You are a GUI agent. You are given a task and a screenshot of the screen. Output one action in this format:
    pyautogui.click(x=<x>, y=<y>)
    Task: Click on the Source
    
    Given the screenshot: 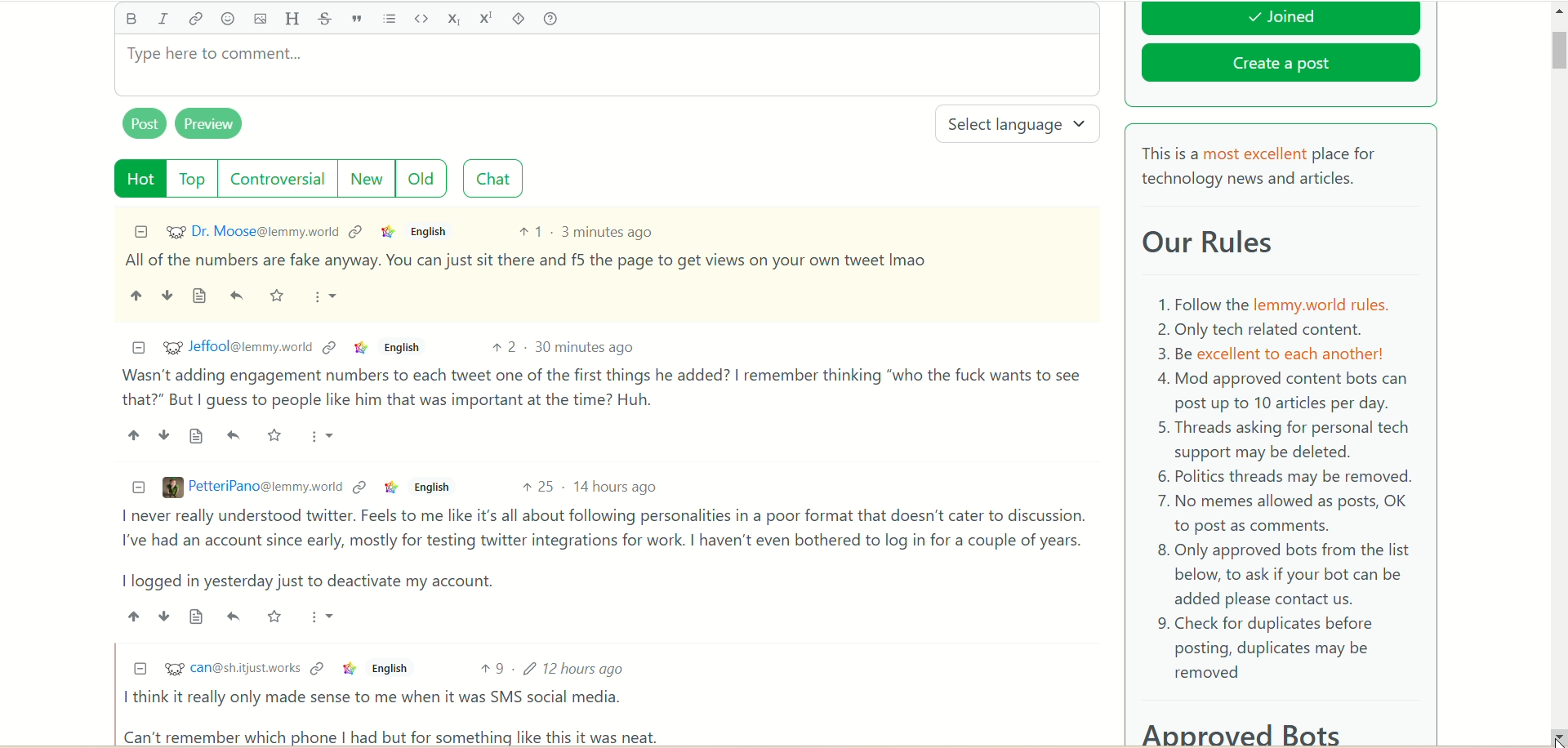 What is the action you would take?
    pyautogui.click(x=198, y=437)
    